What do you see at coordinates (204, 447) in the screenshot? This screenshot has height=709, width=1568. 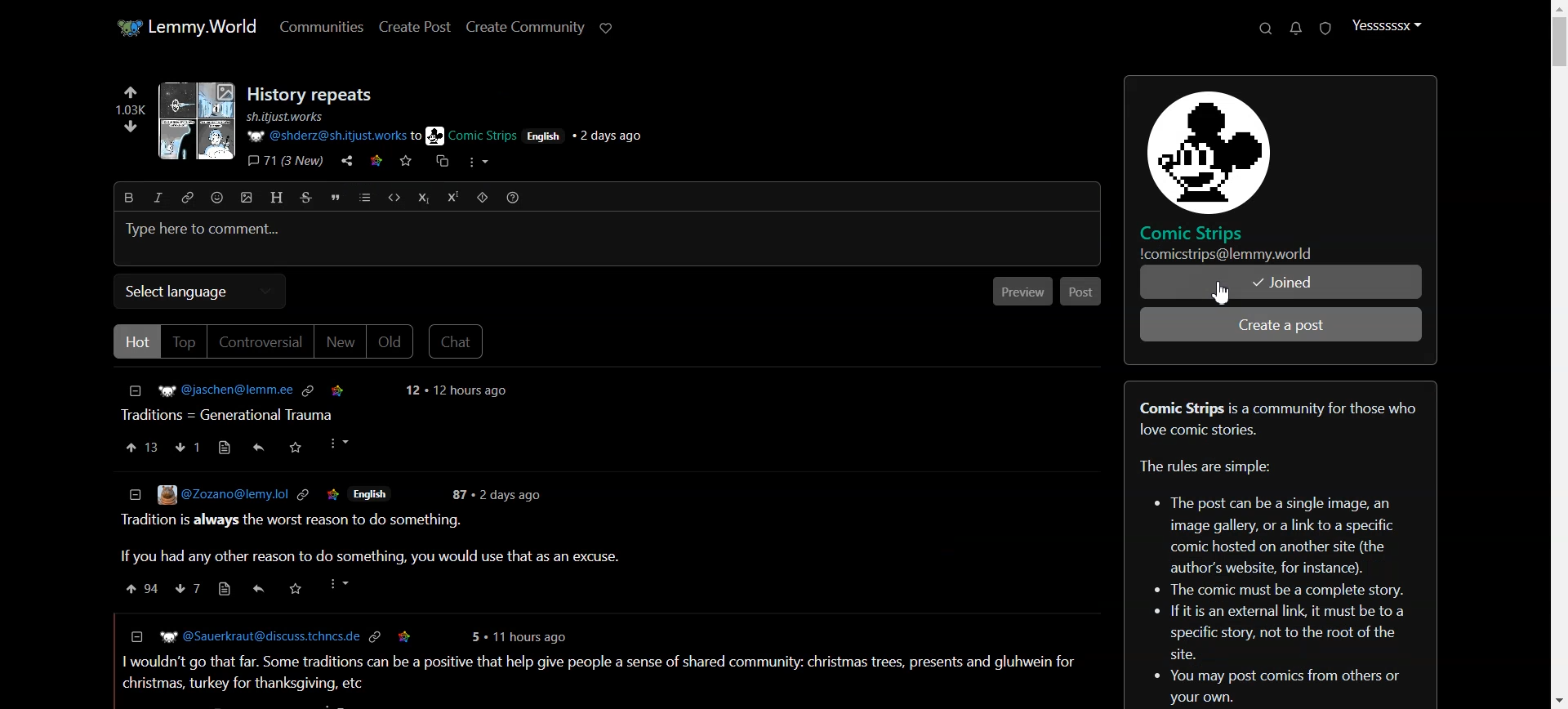 I see `Cooment` at bounding box center [204, 447].